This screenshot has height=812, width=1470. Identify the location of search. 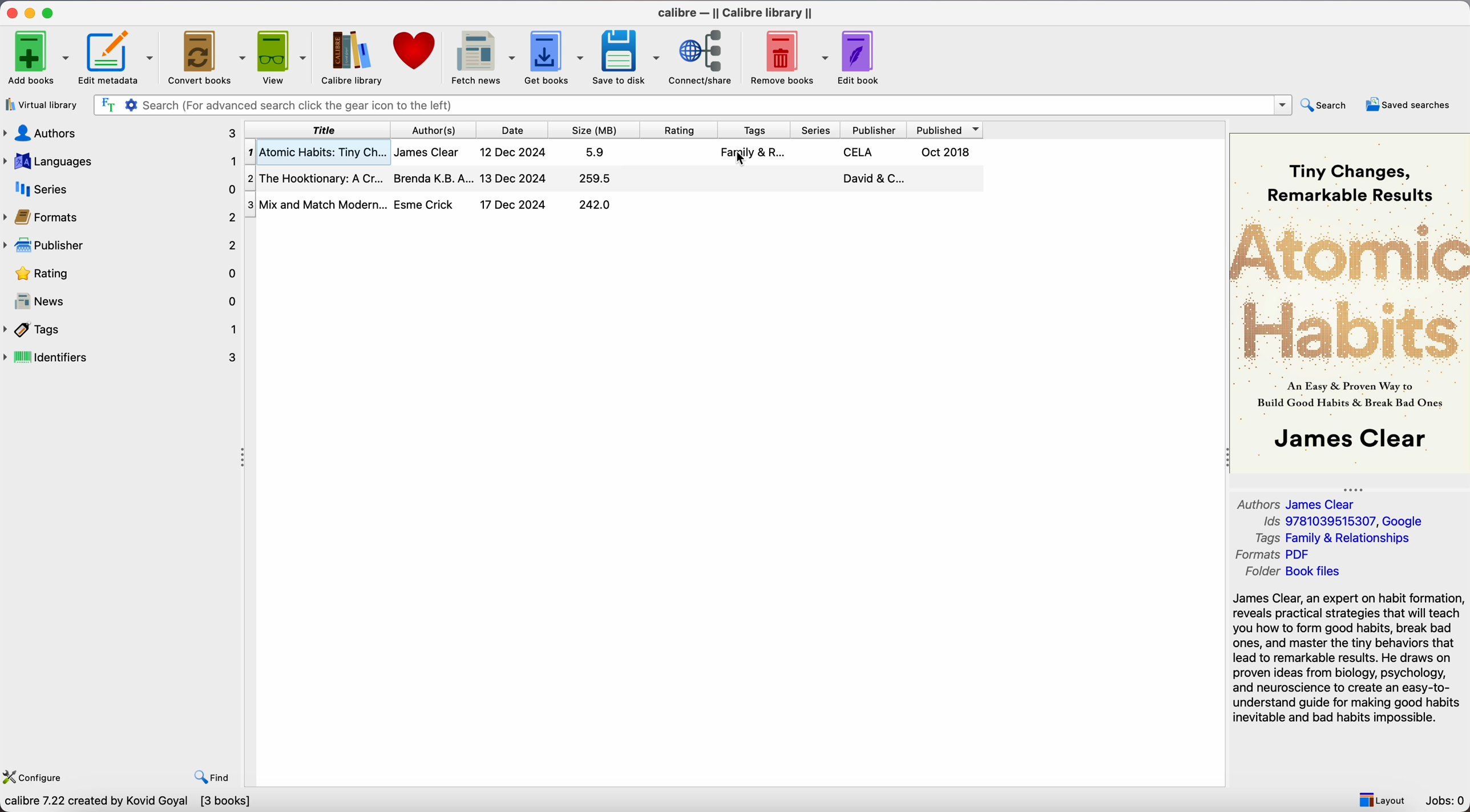
(1324, 104).